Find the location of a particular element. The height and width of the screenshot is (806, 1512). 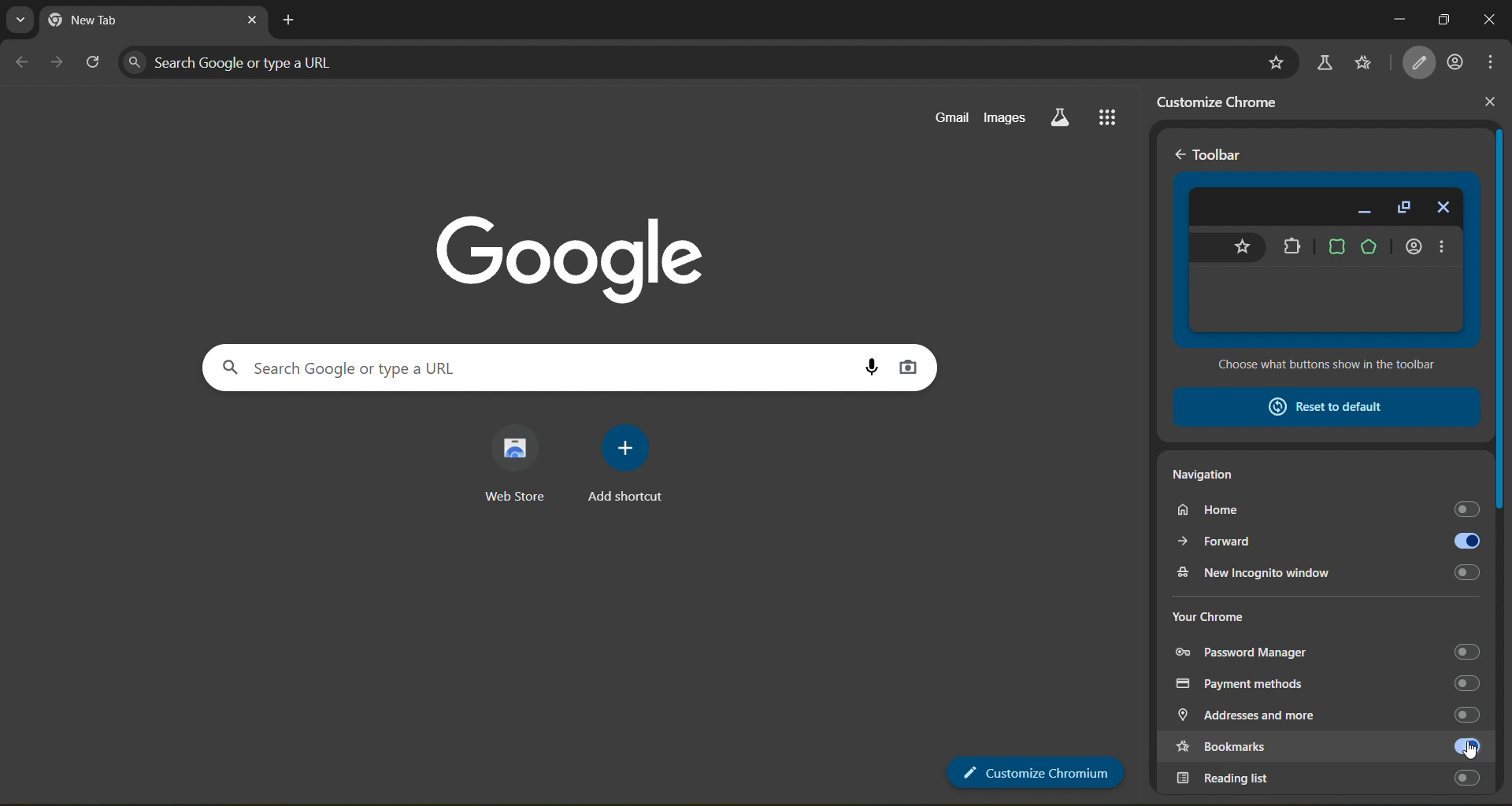

image search is located at coordinates (912, 369).